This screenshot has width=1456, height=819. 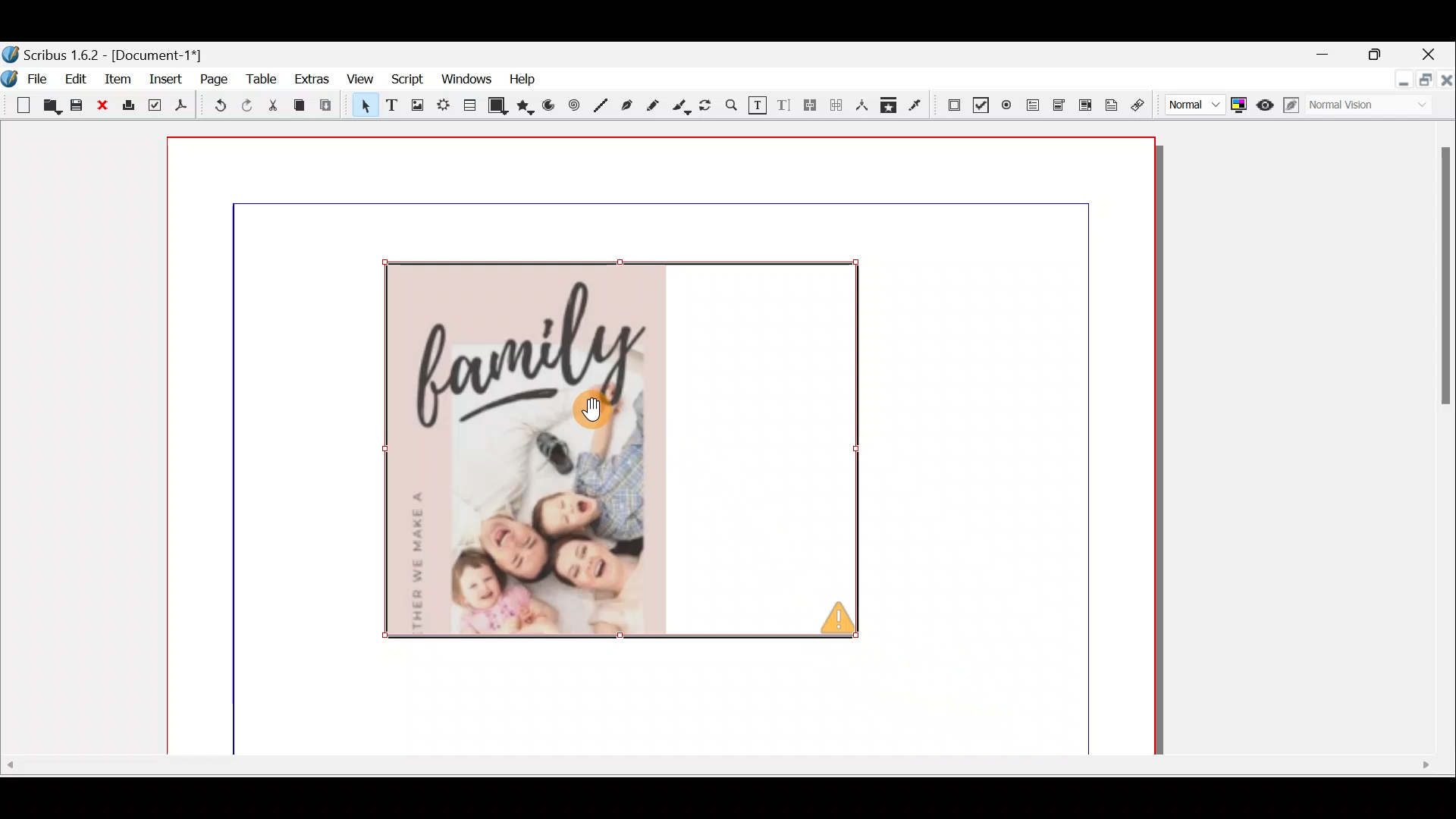 I want to click on Paste, so click(x=329, y=105).